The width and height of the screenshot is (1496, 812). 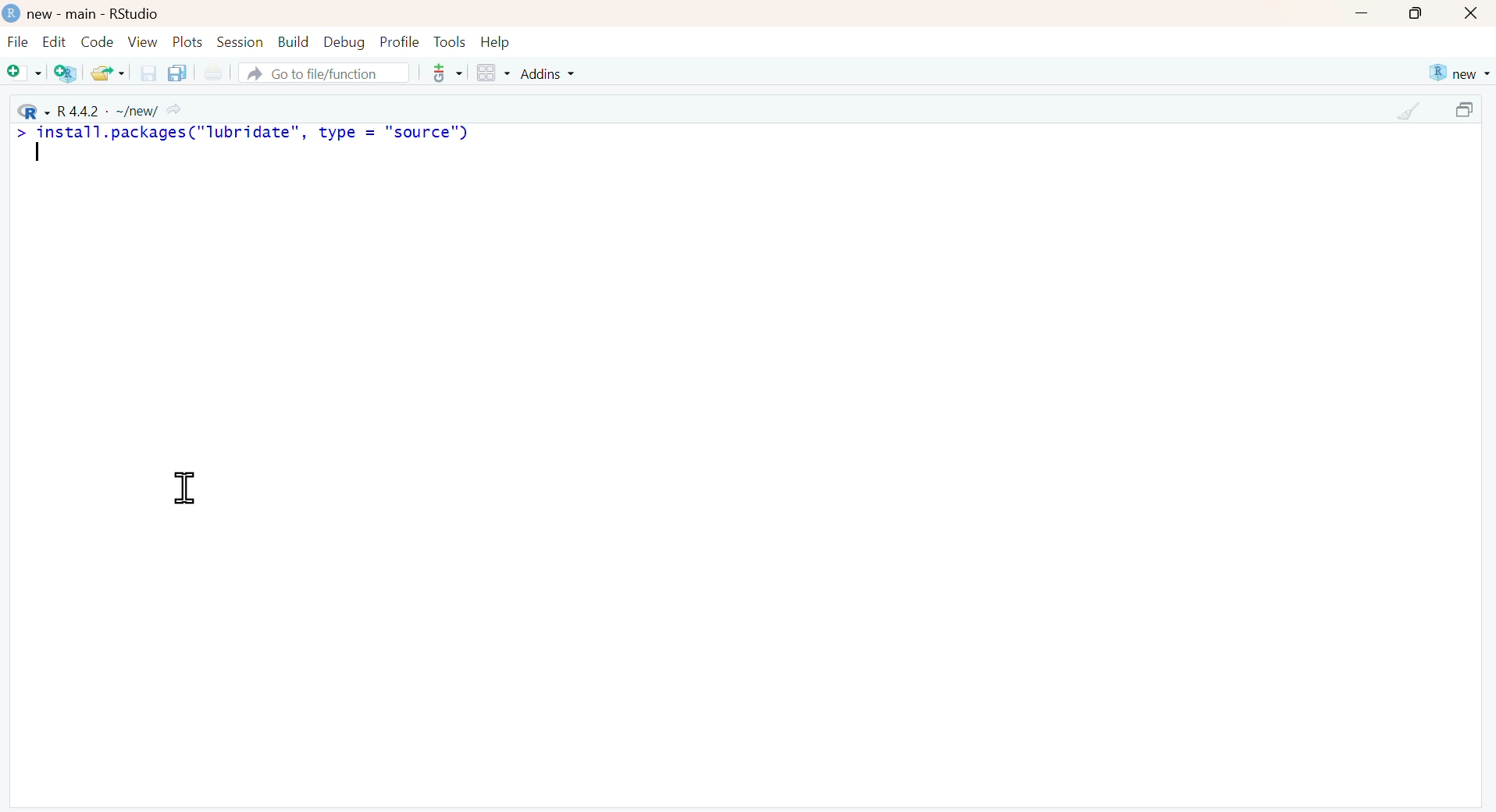 I want to click on Workspace panes, so click(x=493, y=74).